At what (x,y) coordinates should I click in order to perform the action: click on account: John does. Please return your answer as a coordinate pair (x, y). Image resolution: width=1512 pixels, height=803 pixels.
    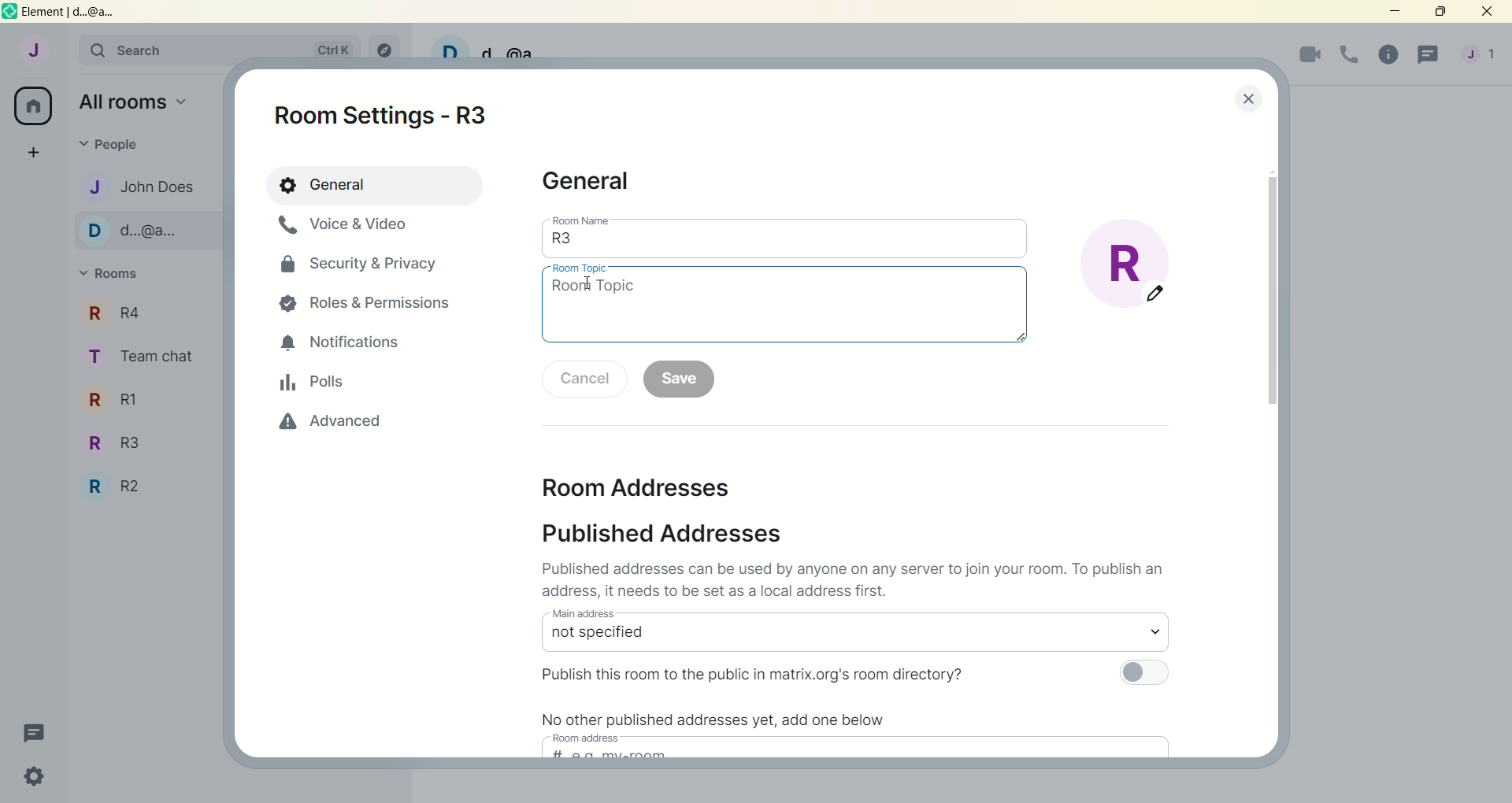
    Looking at the image, I should click on (35, 54).